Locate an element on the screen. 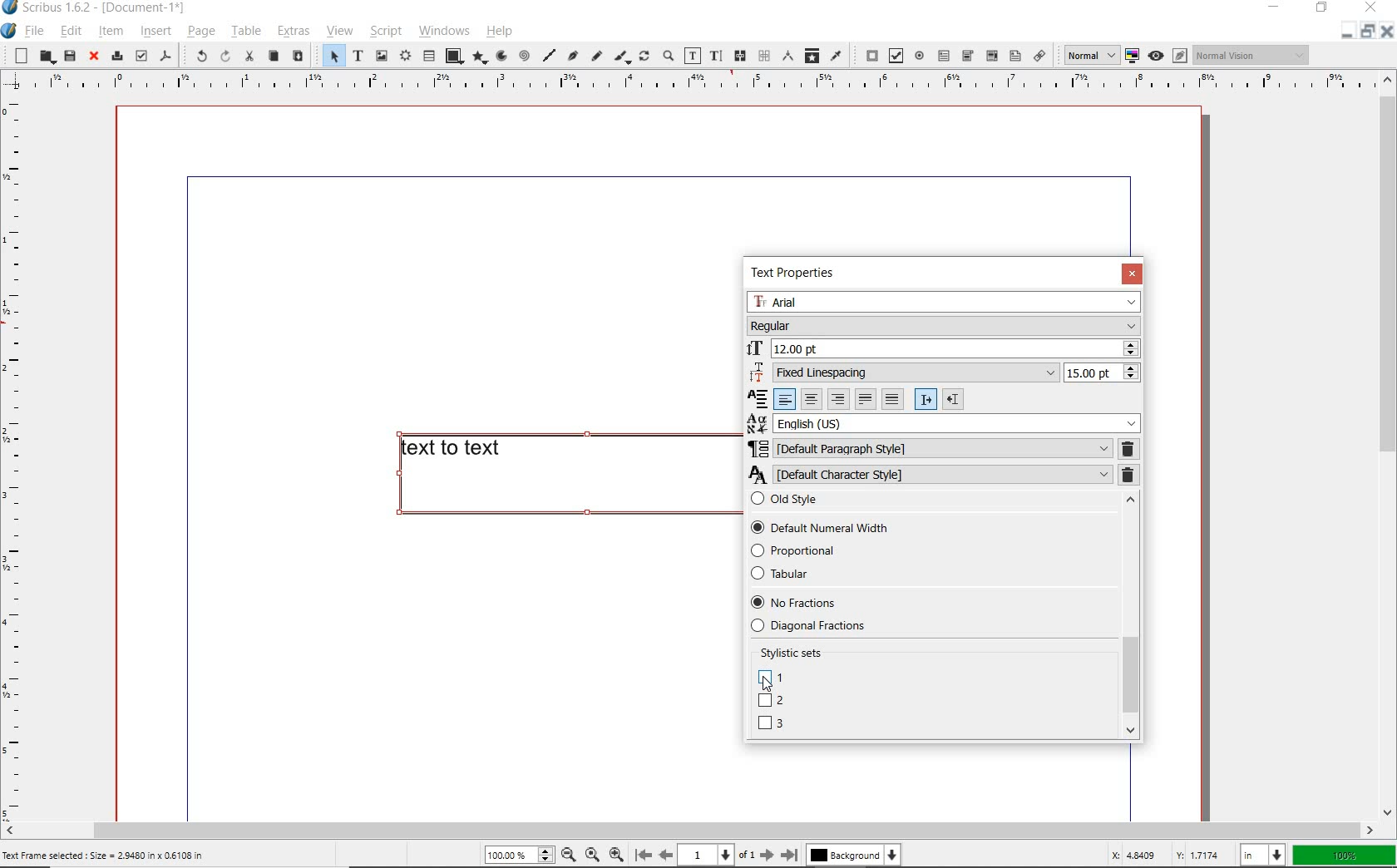  script is located at coordinates (383, 32).